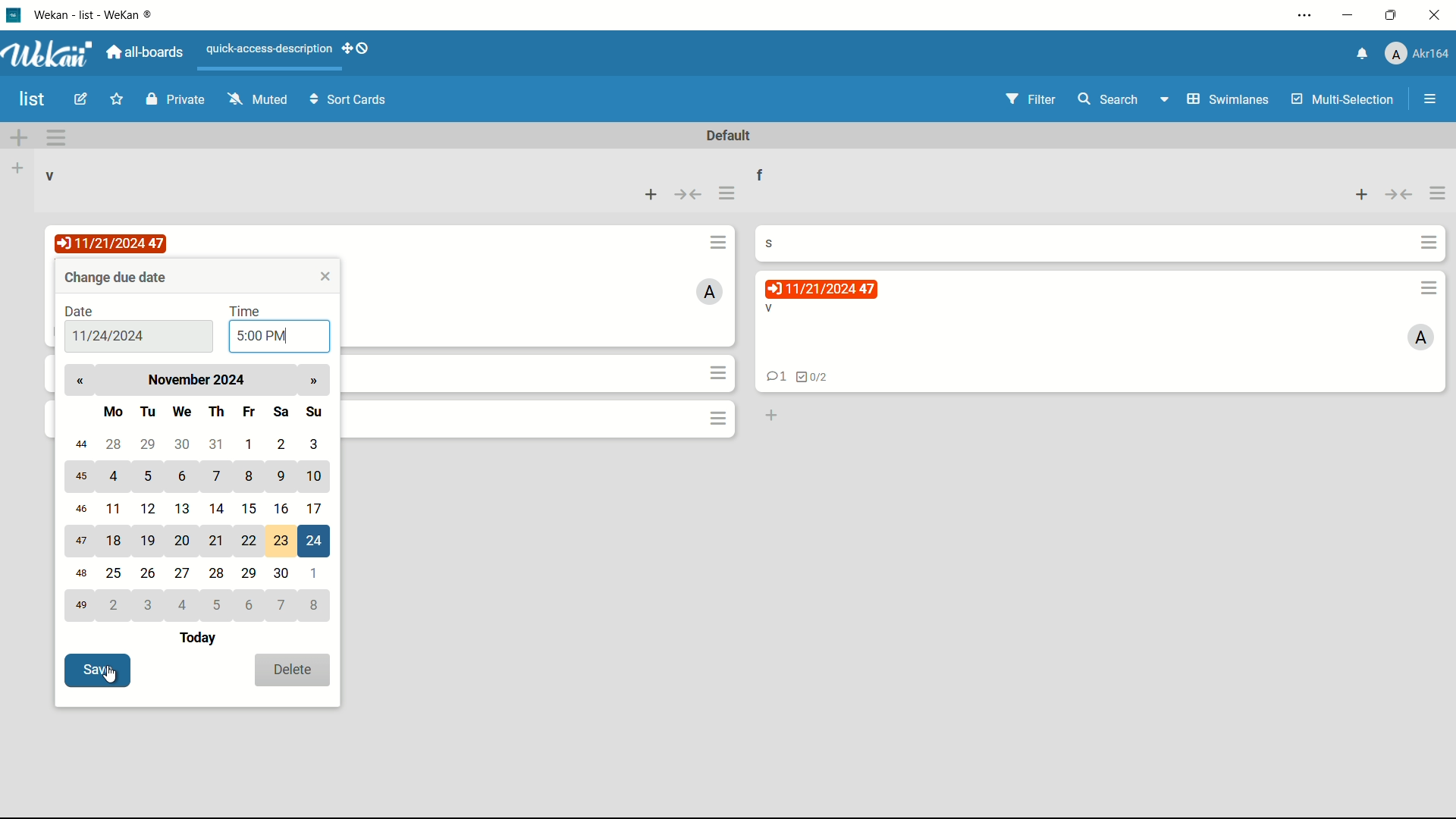  I want to click on 5, so click(220, 605).